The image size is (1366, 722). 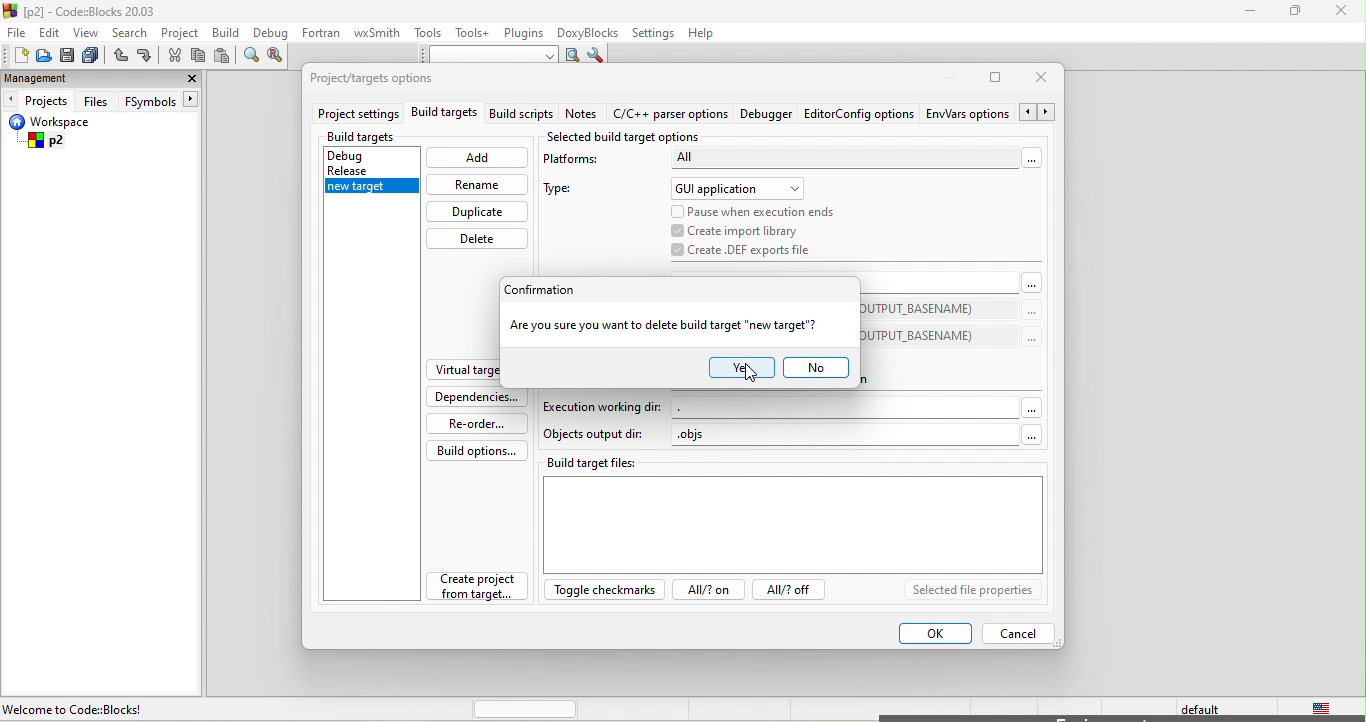 What do you see at coordinates (1296, 15) in the screenshot?
I see `maximize` at bounding box center [1296, 15].